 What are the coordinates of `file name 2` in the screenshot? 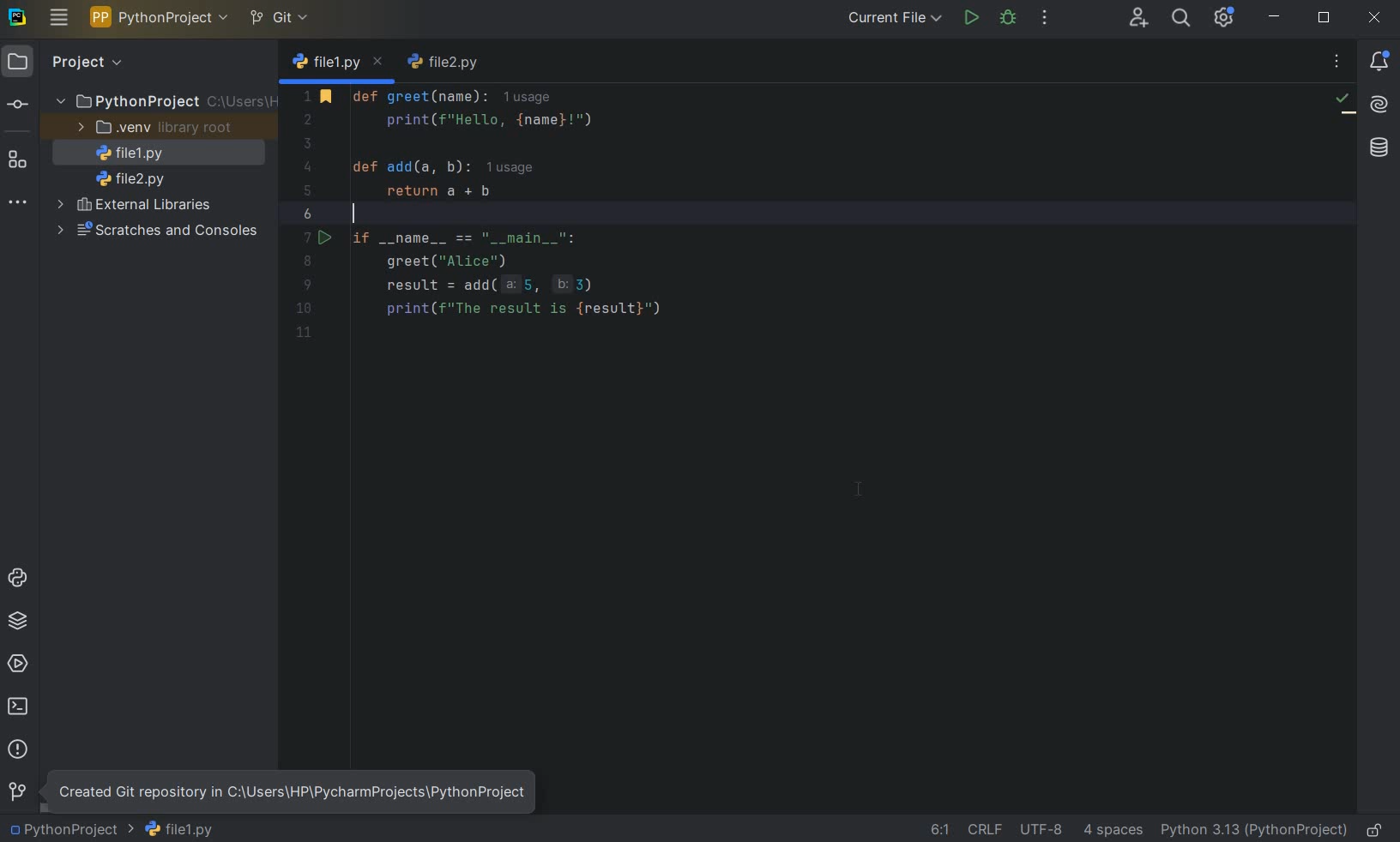 It's located at (446, 64).